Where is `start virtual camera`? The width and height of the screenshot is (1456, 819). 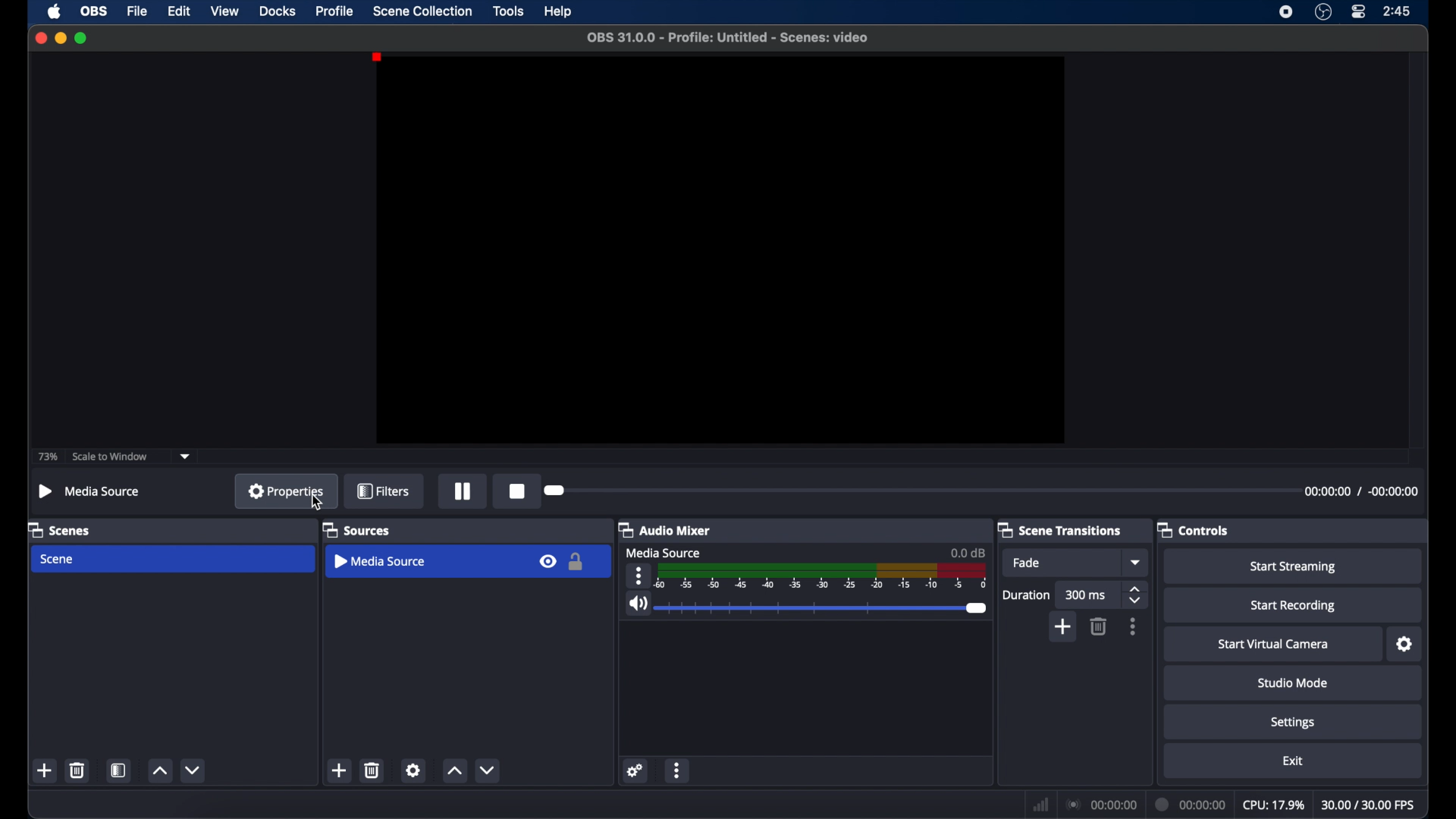
start virtual camera is located at coordinates (1274, 645).